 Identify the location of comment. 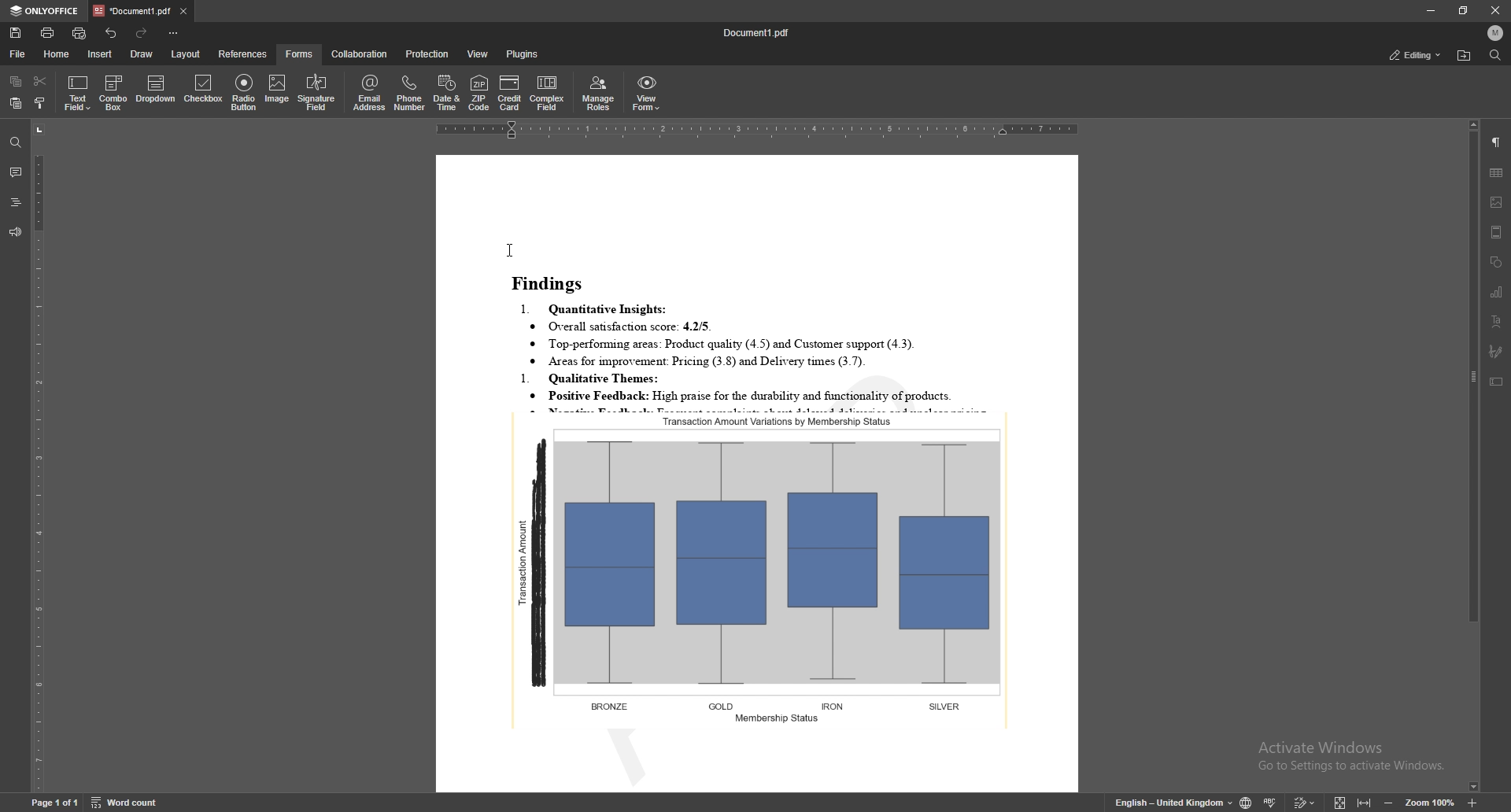
(15, 172).